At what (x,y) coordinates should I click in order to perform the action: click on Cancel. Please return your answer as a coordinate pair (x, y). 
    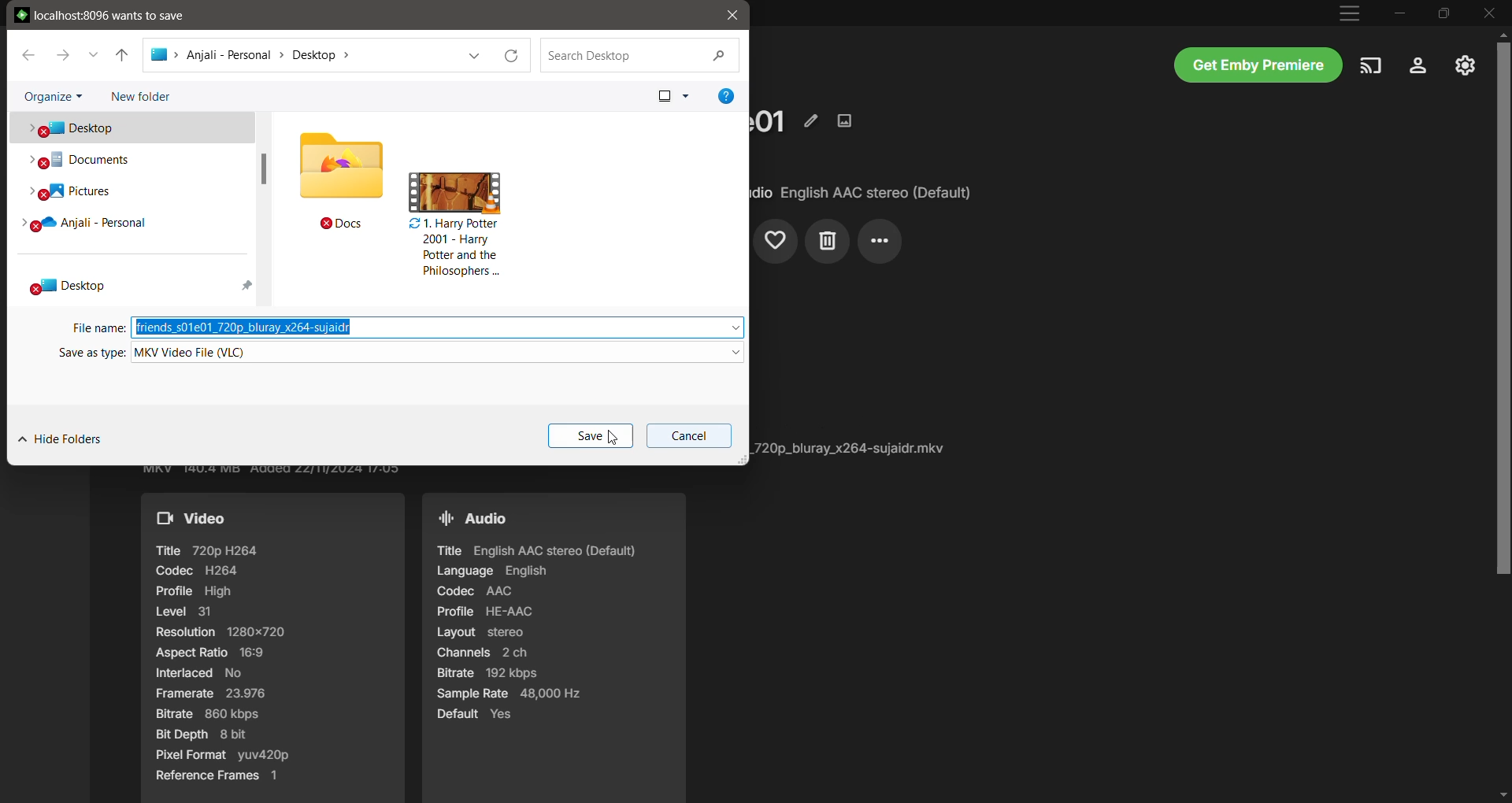
    Looking at the image, I should click on (687, 436).